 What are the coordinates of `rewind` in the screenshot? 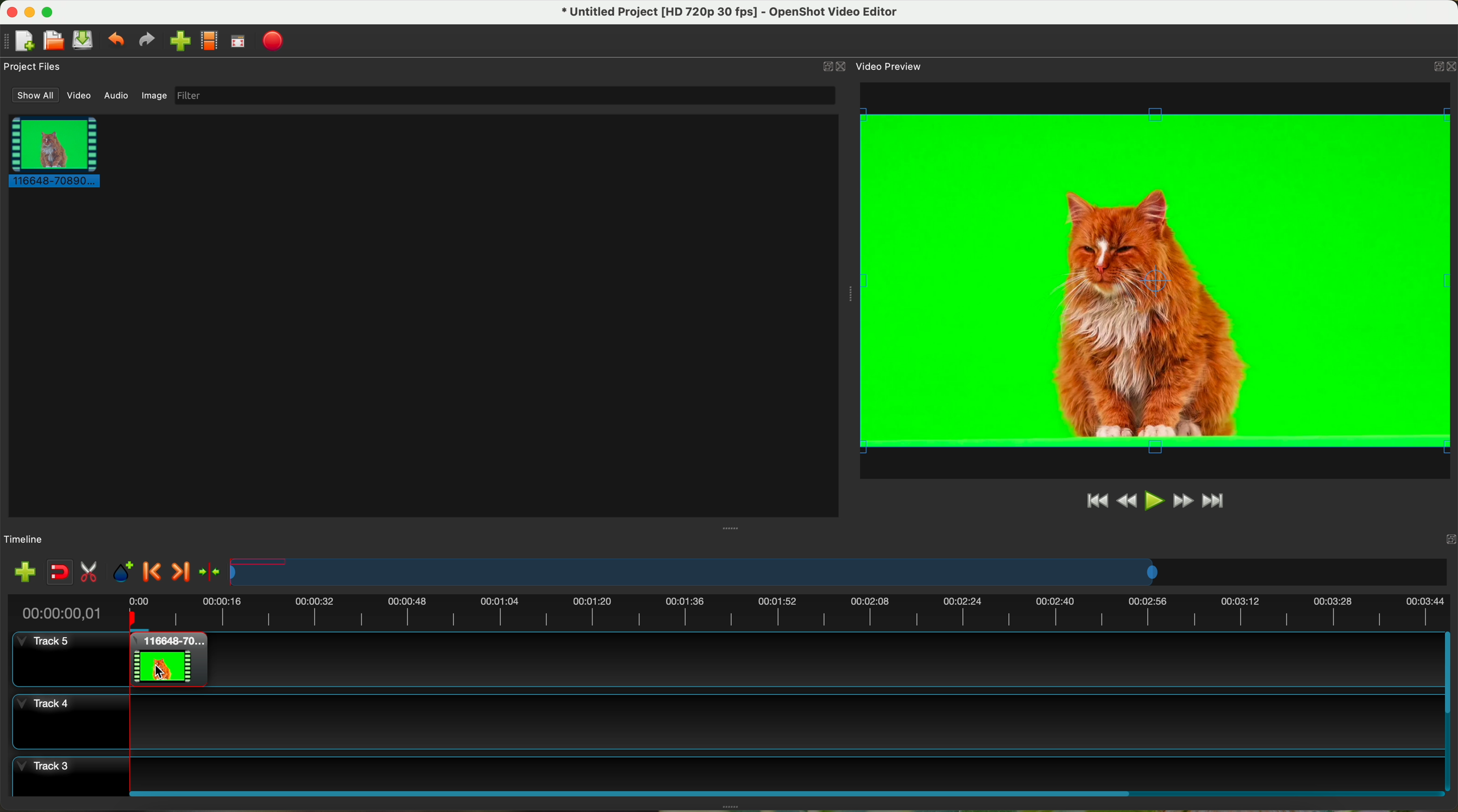 It's located at (1128, 501).